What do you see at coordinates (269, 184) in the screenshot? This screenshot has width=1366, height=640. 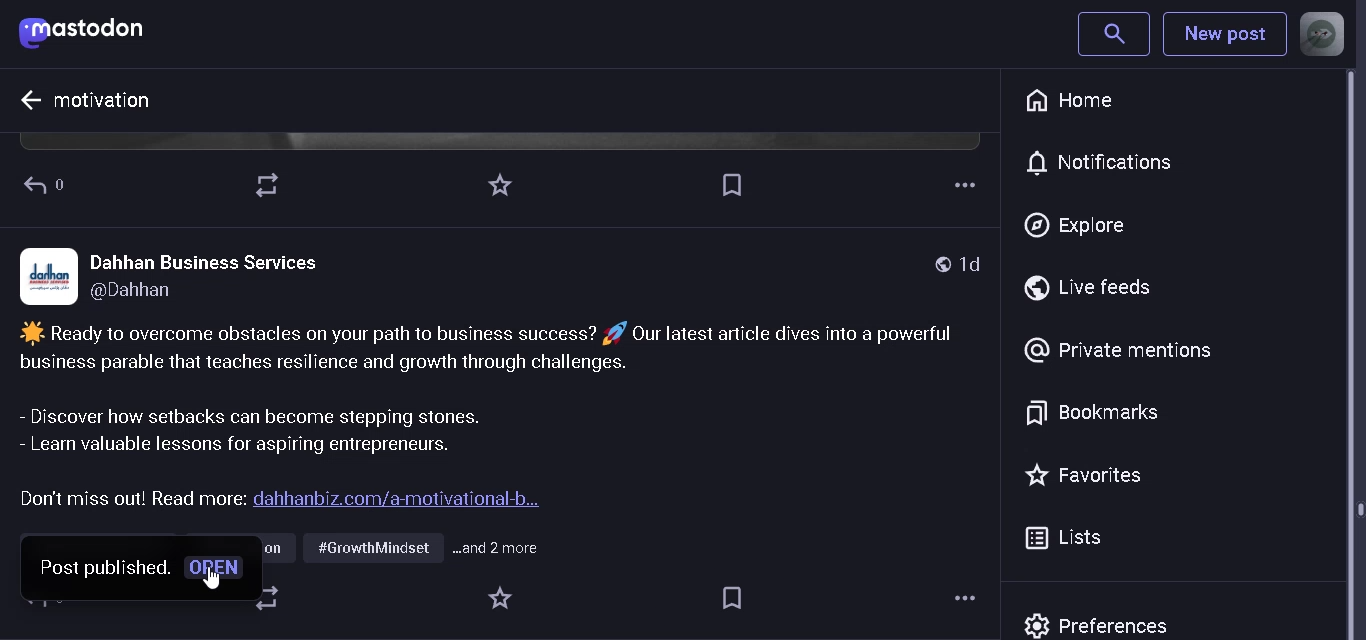 I see `Refresh` at bounding box center [269, 184].